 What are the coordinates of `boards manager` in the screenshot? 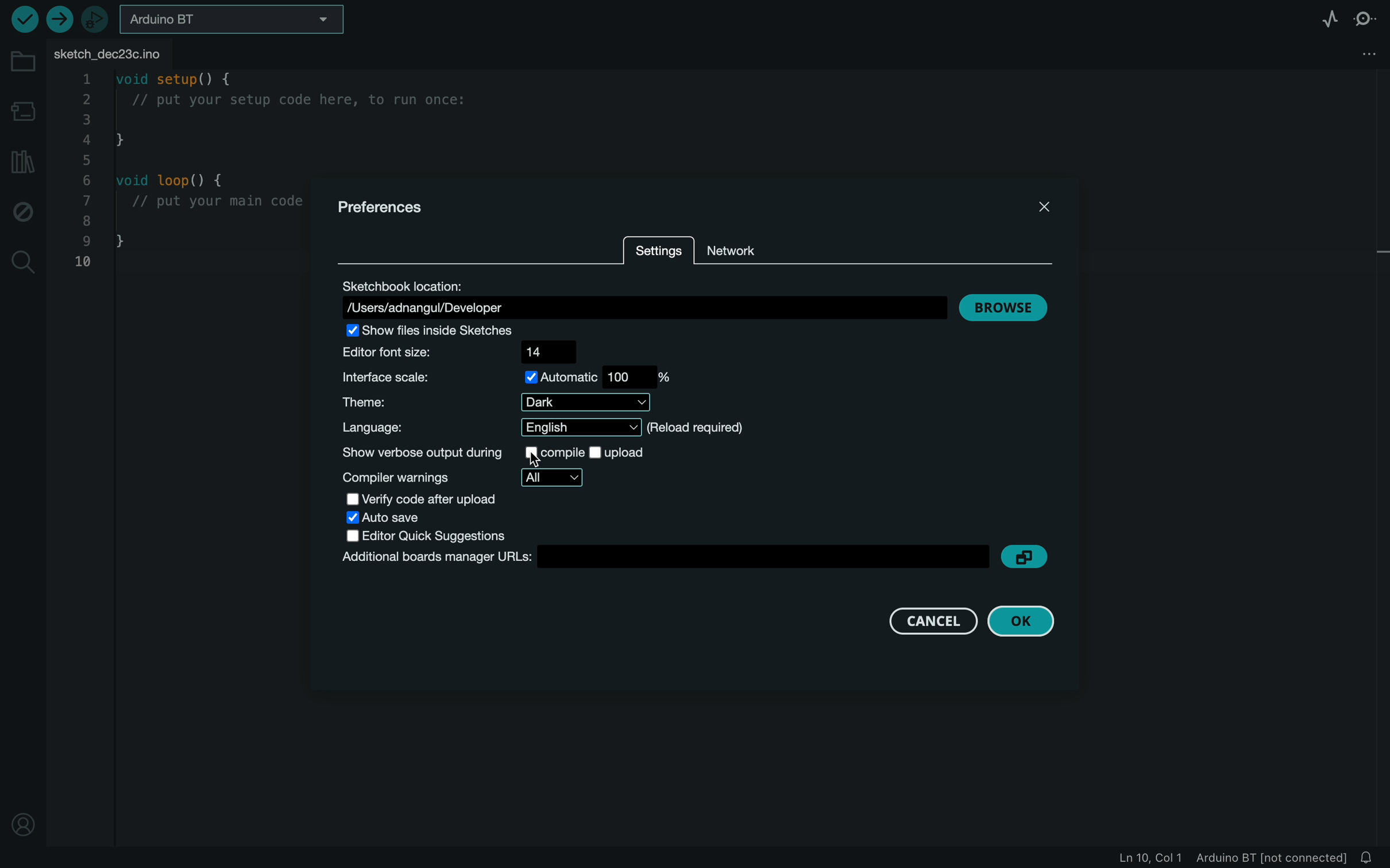 It's located at (665, 559).